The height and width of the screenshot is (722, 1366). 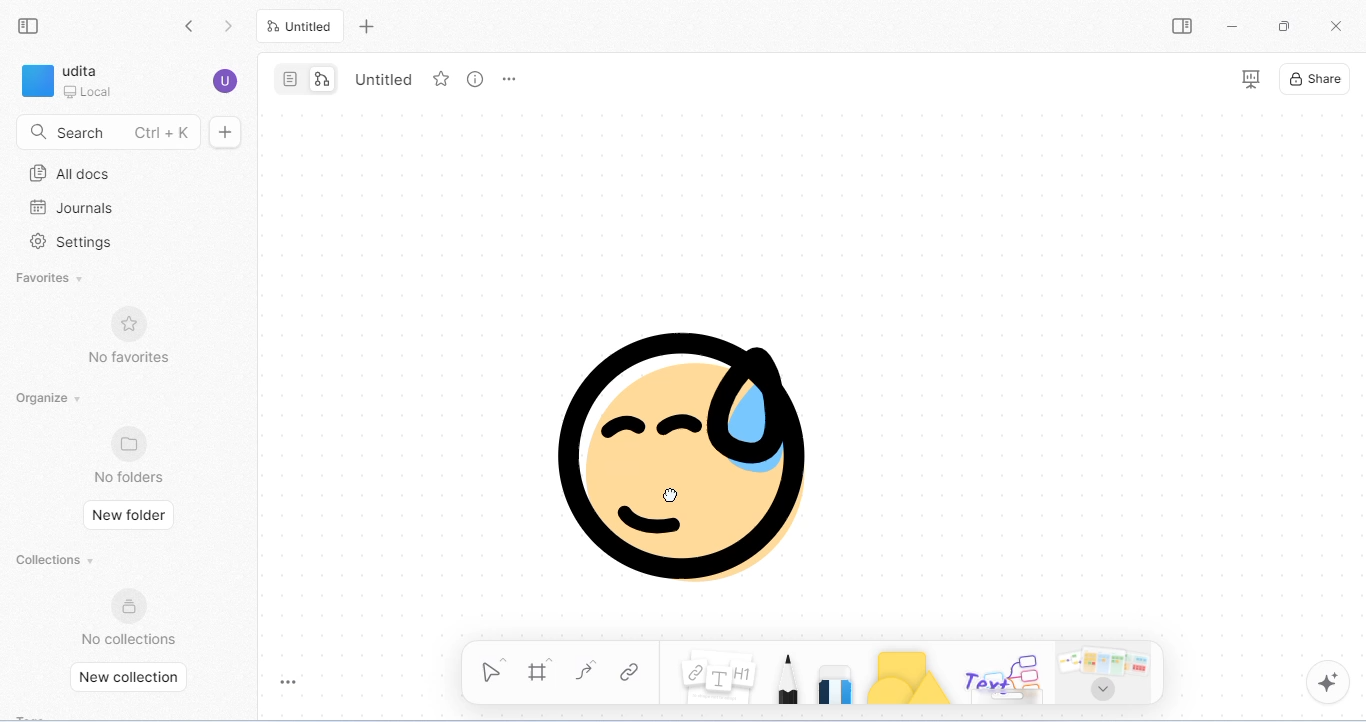 What do you see at coordinates (674, 495) in the screenshot?
I see `cursor movement` at bounding box center [674, 495].